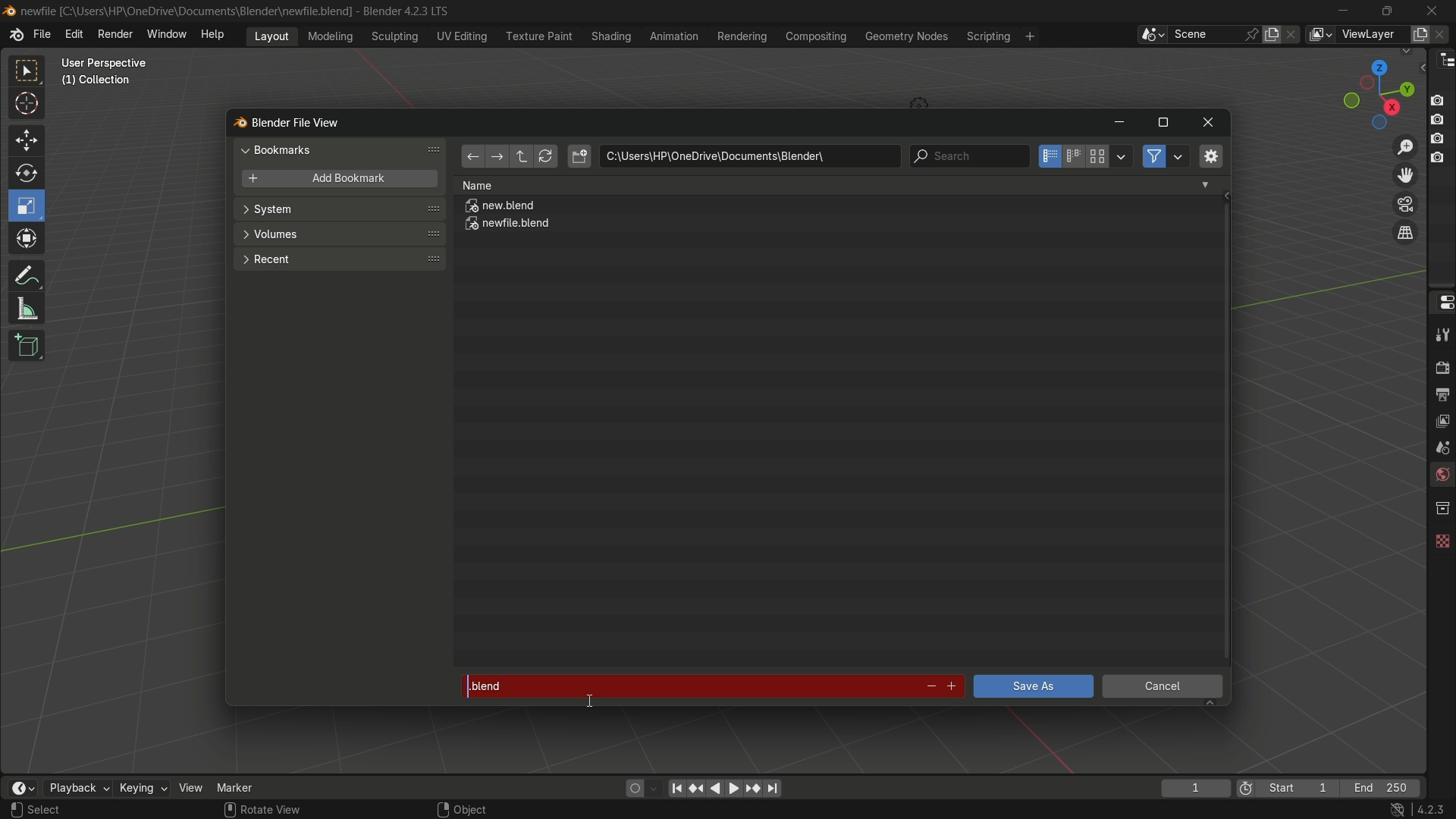 This screenshot has width=1456, height=819. What do you see at coordinates (472, 158) in the screenshot?
I see `back` at bounding box center [472, 158].